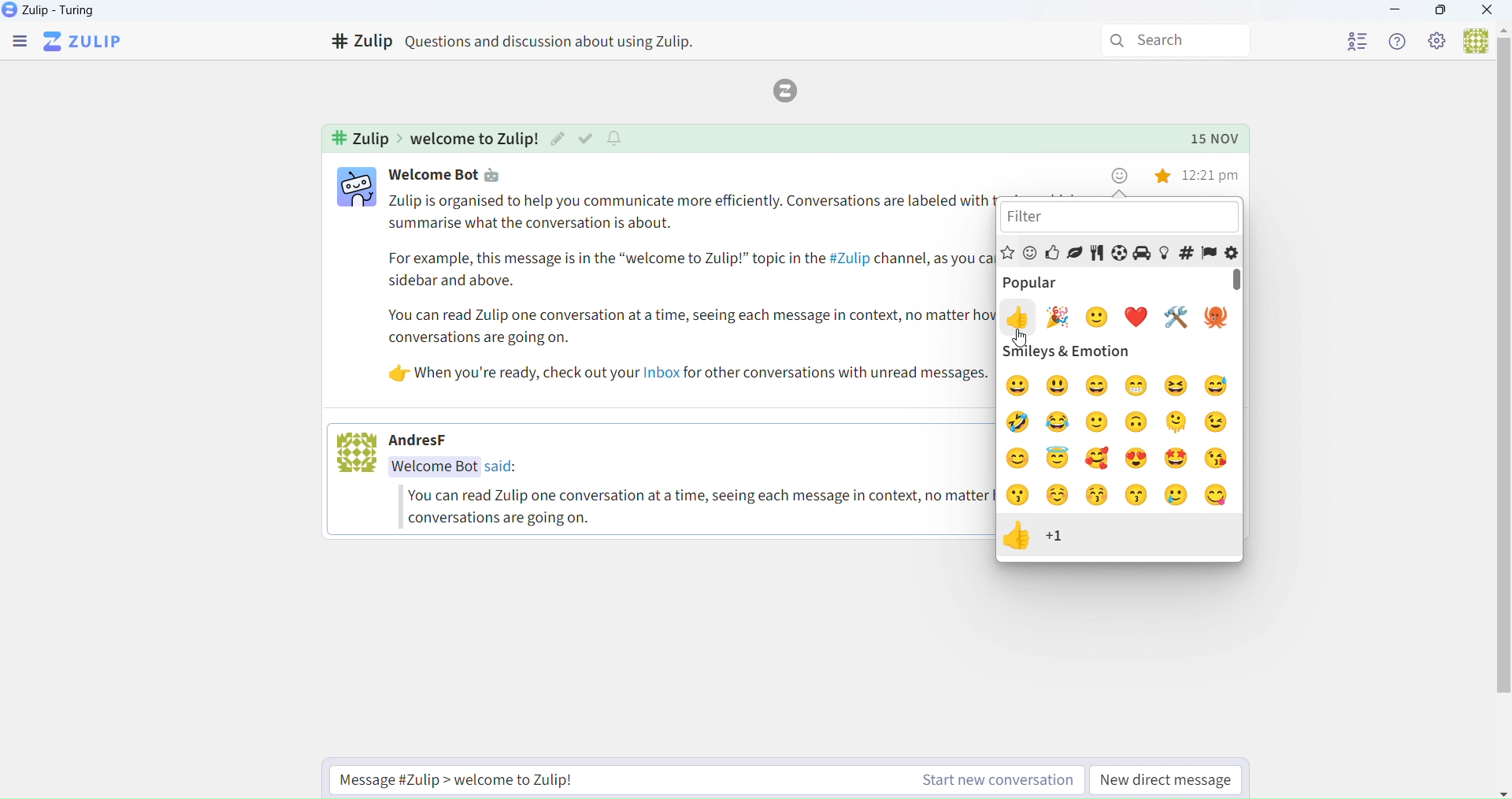 The image size is (1512, 799). What do you see at coordinates (1399, 40) in the screenshot?
I see `Help` at bounding box center [1399, 40].